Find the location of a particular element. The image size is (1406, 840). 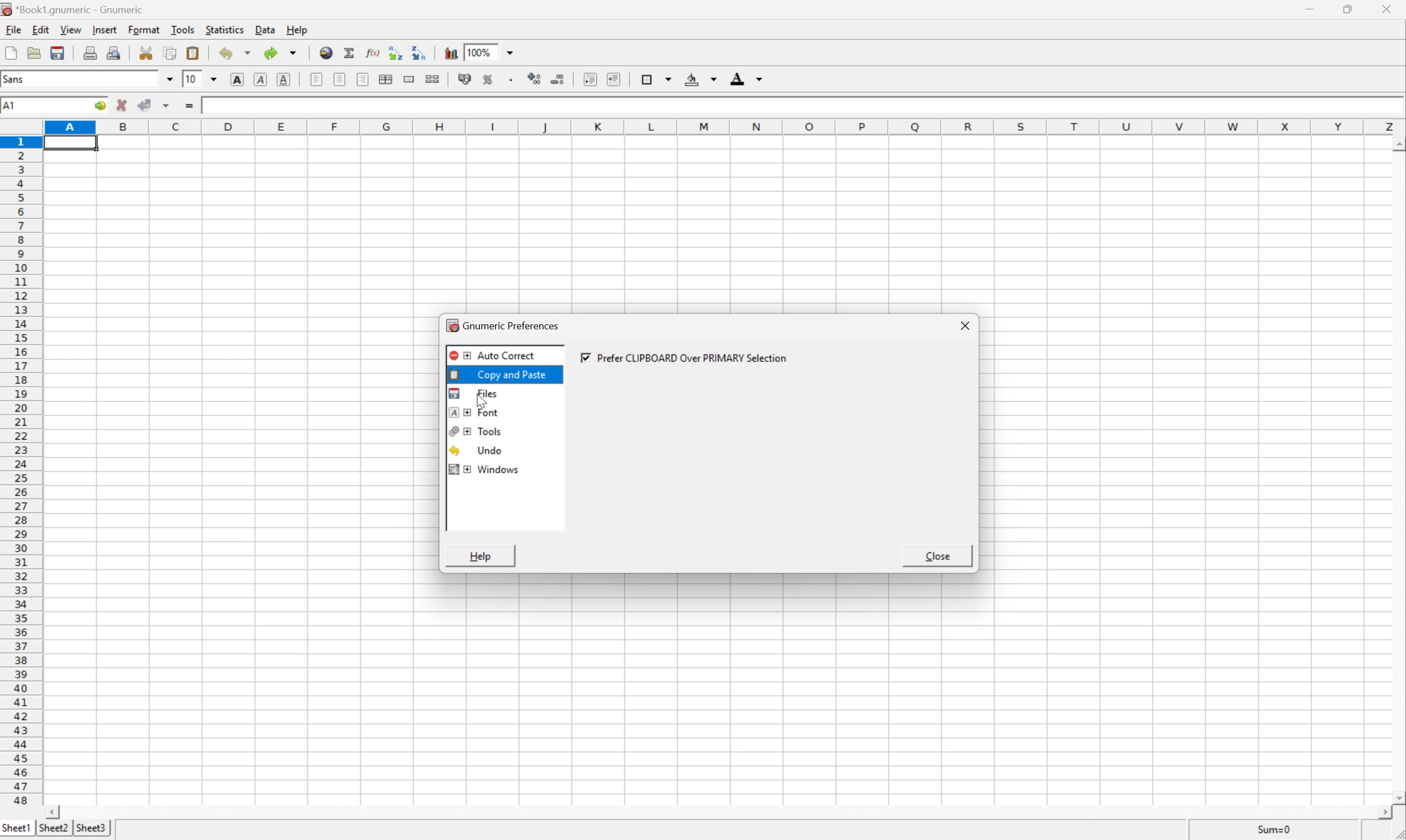

format selection as accounting is located at coordinates (463, 78).